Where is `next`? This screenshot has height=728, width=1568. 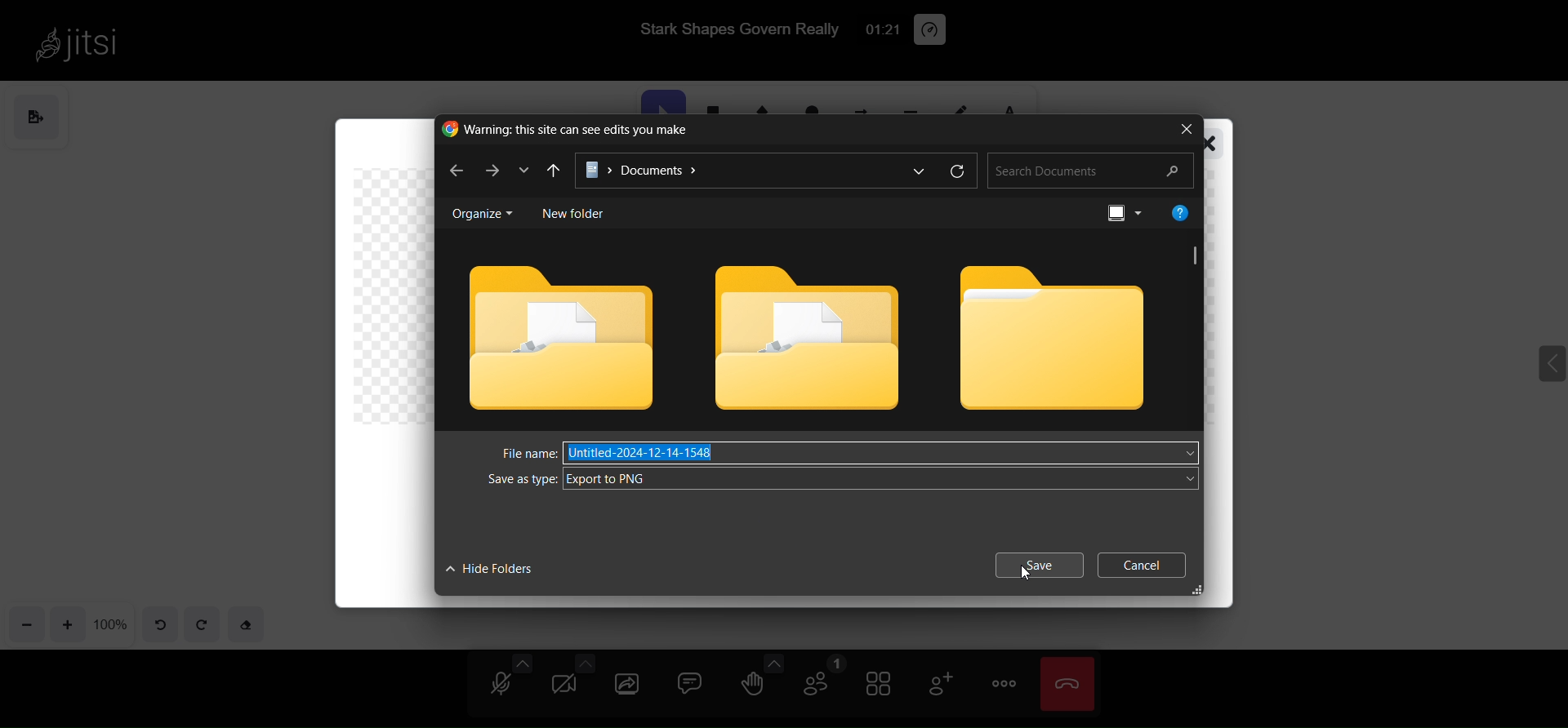 next is located at coordinates (492, 171).